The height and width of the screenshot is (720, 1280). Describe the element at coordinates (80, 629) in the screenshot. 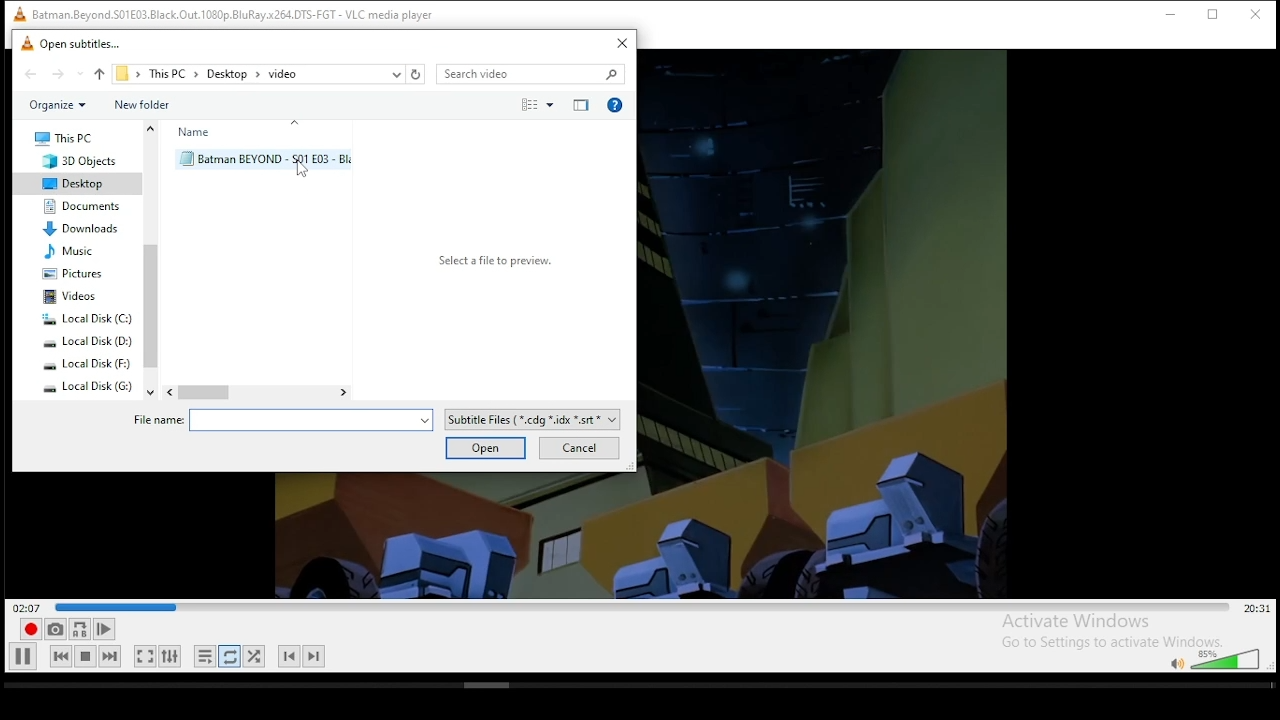

I see `loop between point A to point B continuously. click ad point A` at that location.